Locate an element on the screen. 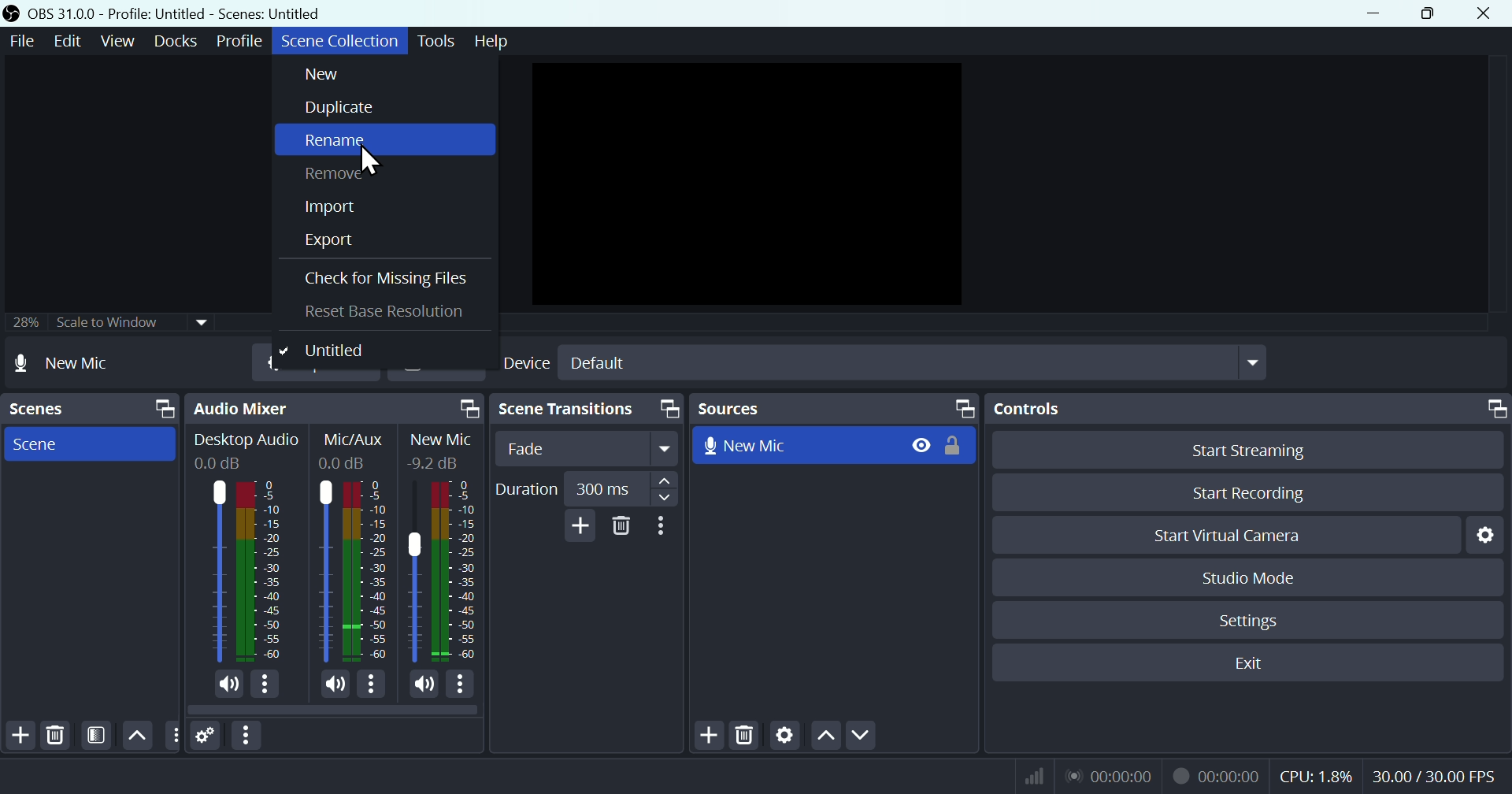 The width and height of the screenshot is (1512, 794). (un)mute is located at coordinates (425, 686).